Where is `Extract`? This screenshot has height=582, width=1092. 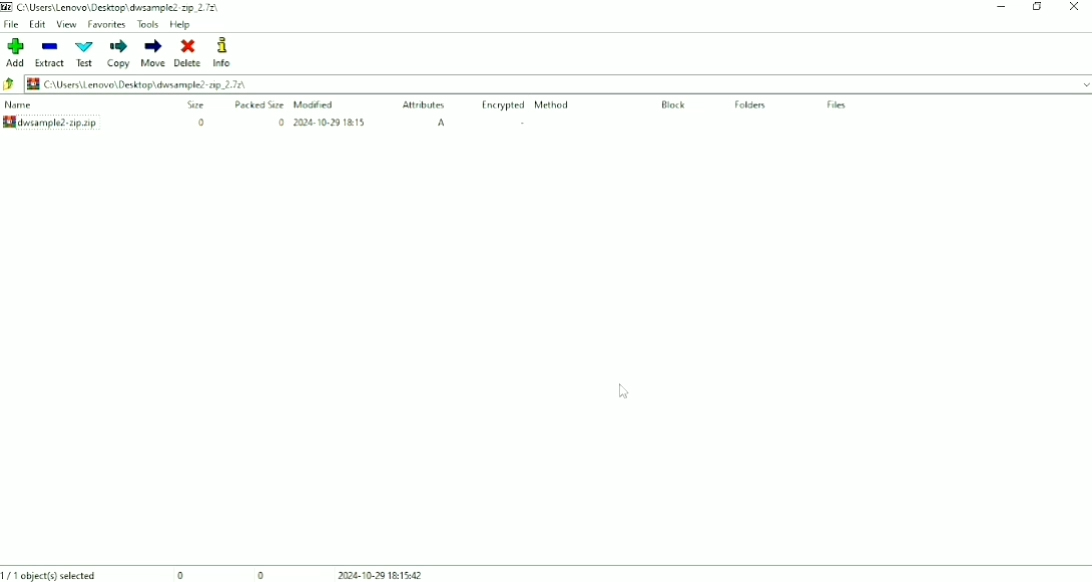
Extract is located at coordinates (51, 53).